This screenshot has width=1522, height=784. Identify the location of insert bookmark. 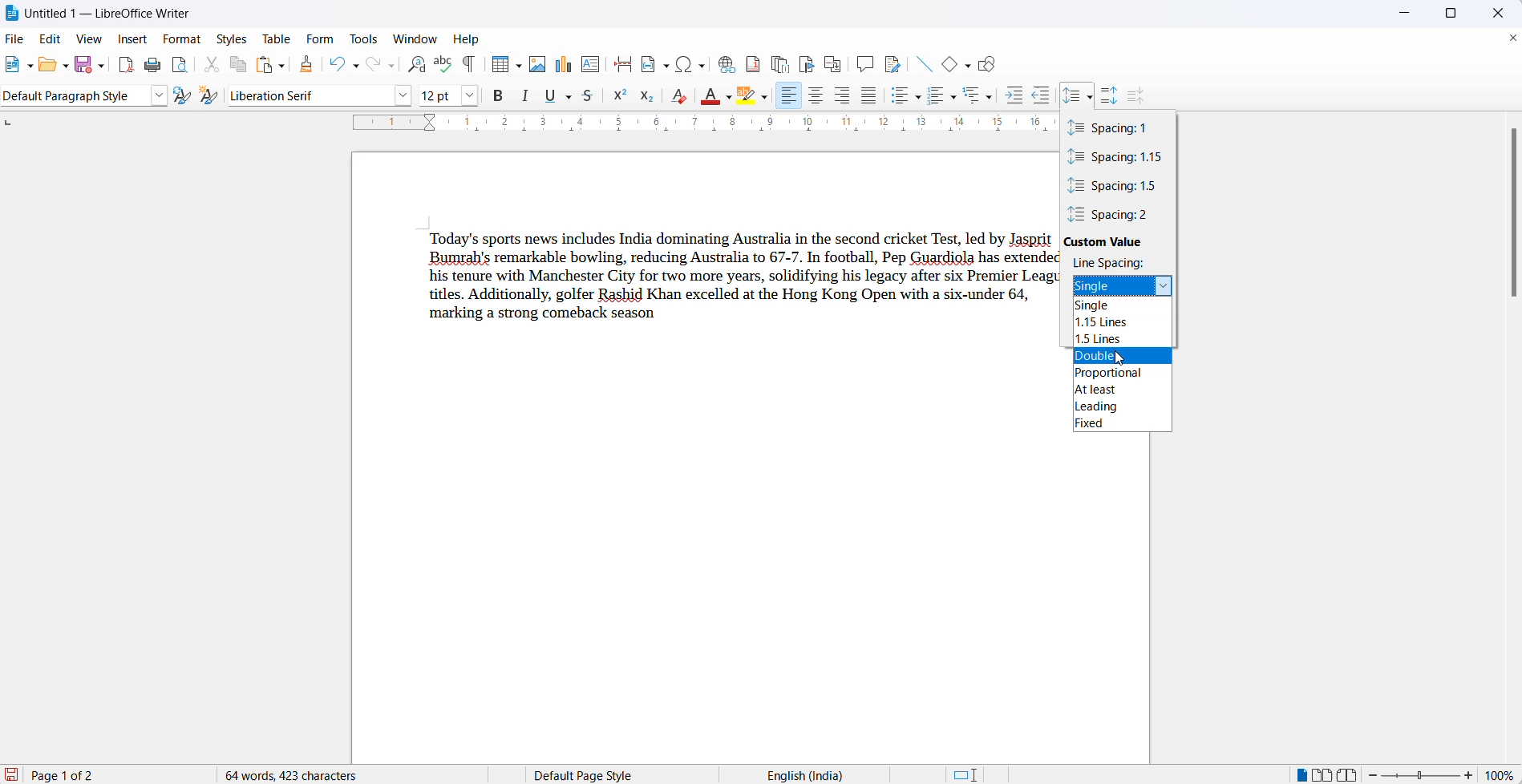
(805, 62).